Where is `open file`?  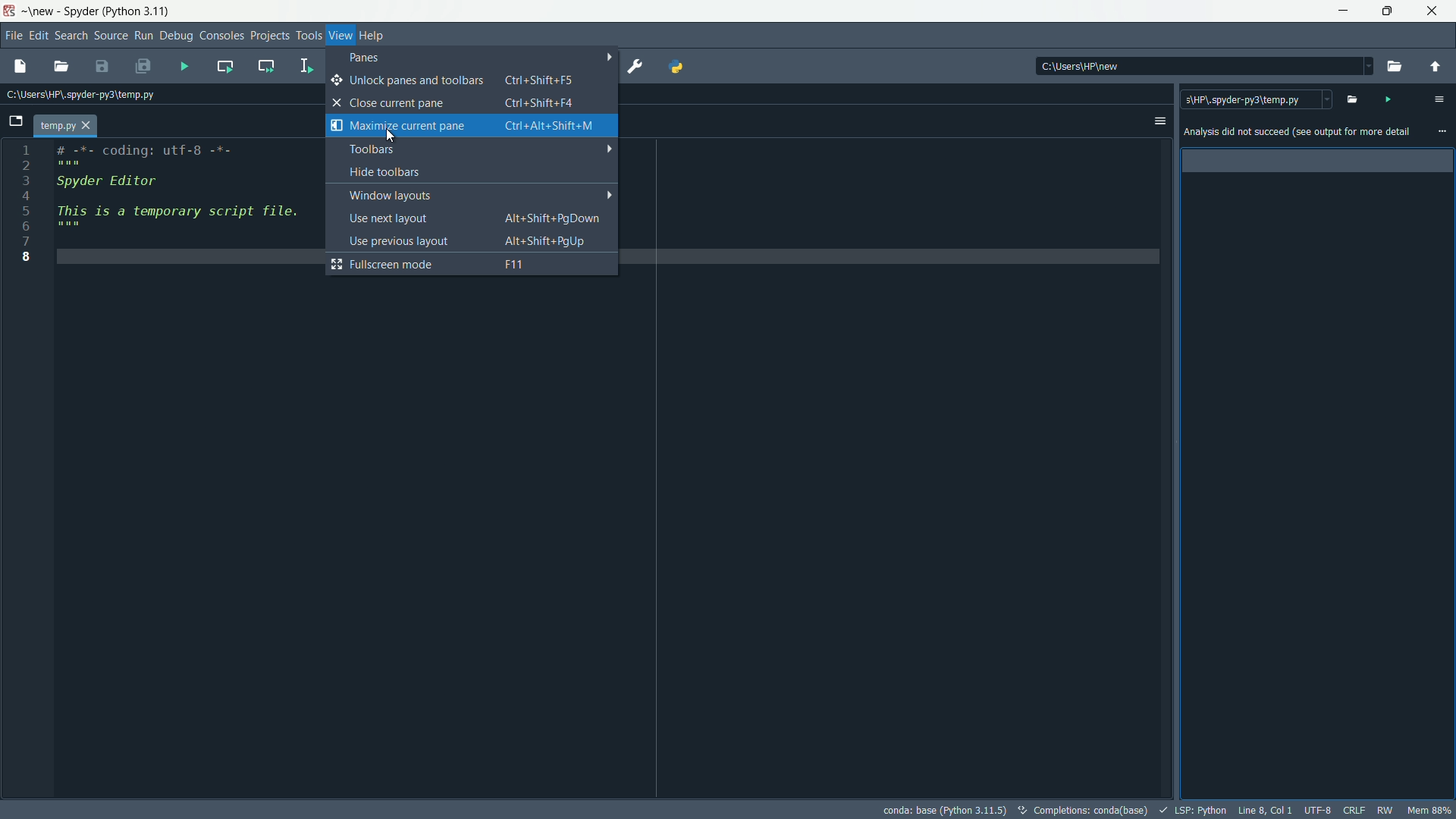
open file is located at coordinates (62, 67).